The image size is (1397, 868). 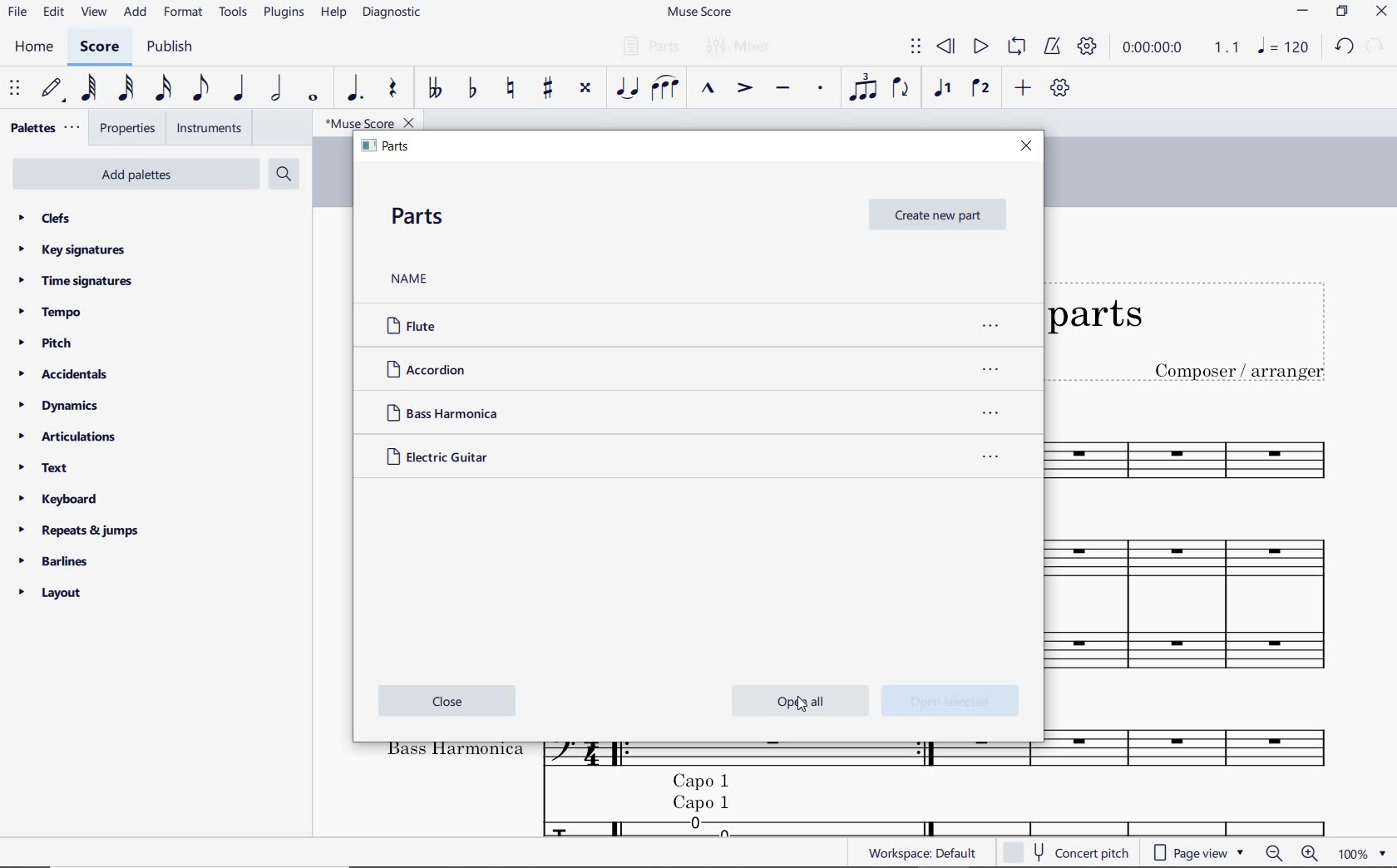 I want to click on repeats & jumps, so click(x=82, y=531).